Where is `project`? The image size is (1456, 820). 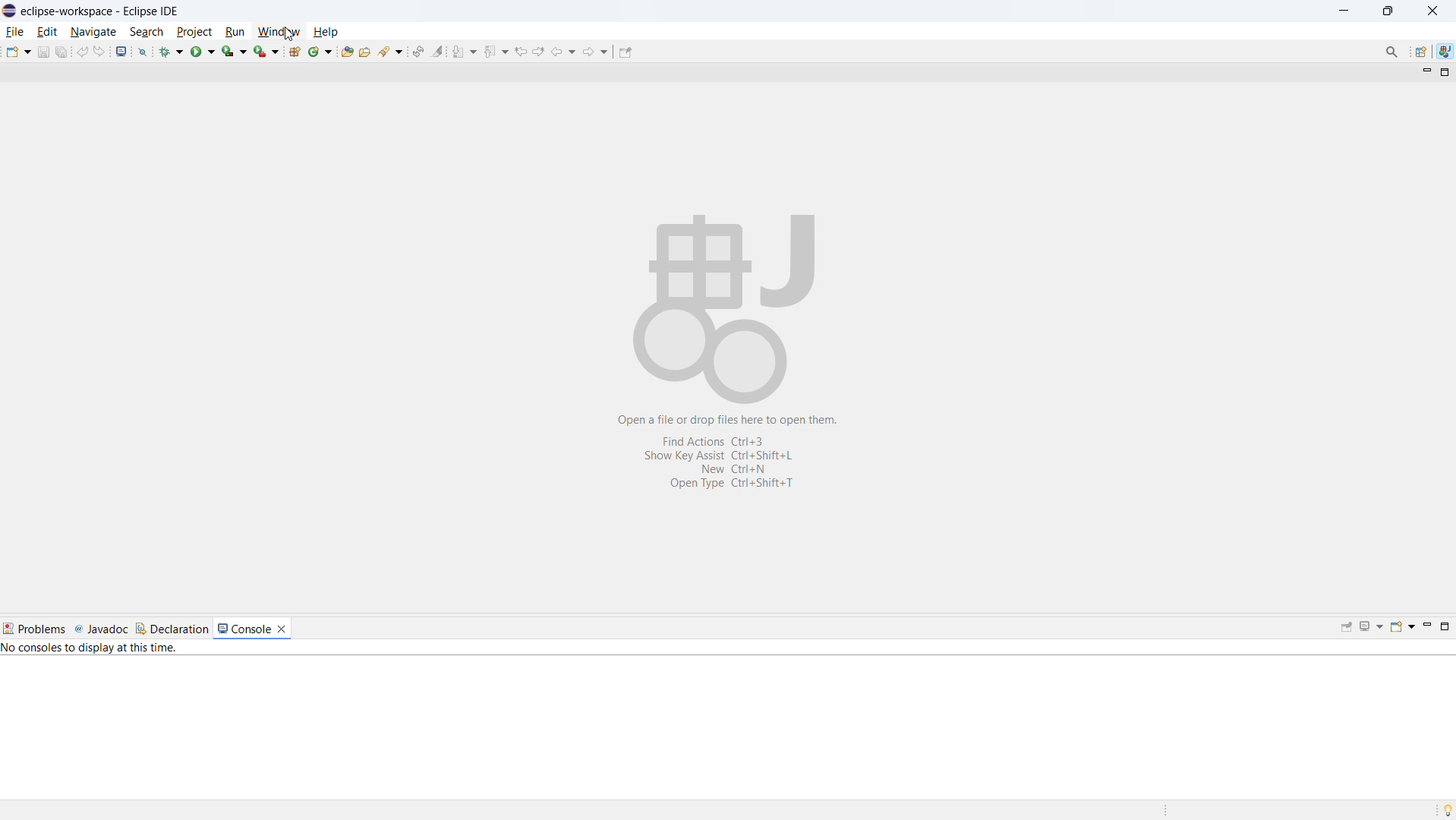 project is located at coordinates (194, 31).